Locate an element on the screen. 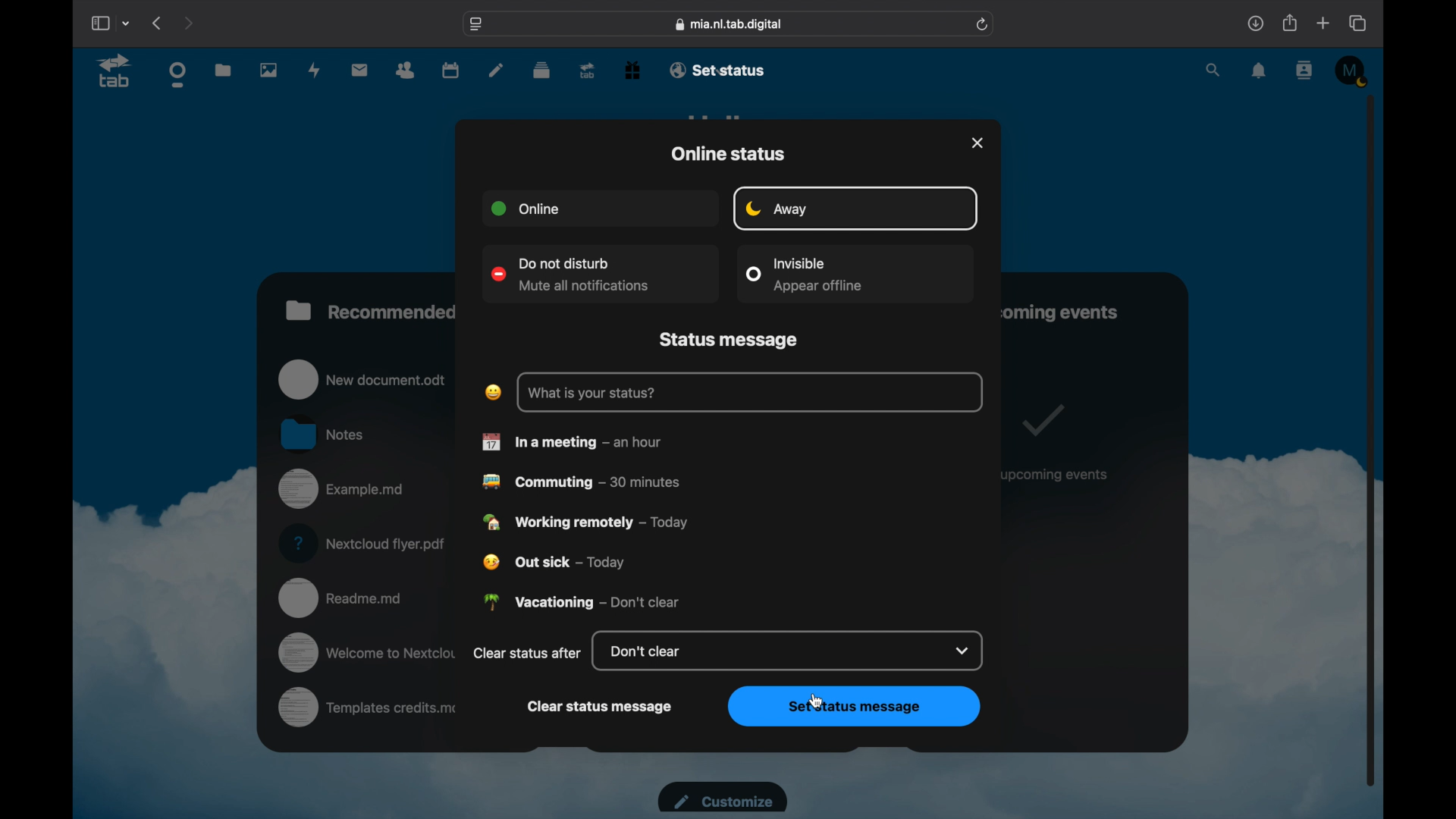 Image resolution: width=1456 pixels, height=819 pixels. tab group picker is located at coordinates (127, 23).